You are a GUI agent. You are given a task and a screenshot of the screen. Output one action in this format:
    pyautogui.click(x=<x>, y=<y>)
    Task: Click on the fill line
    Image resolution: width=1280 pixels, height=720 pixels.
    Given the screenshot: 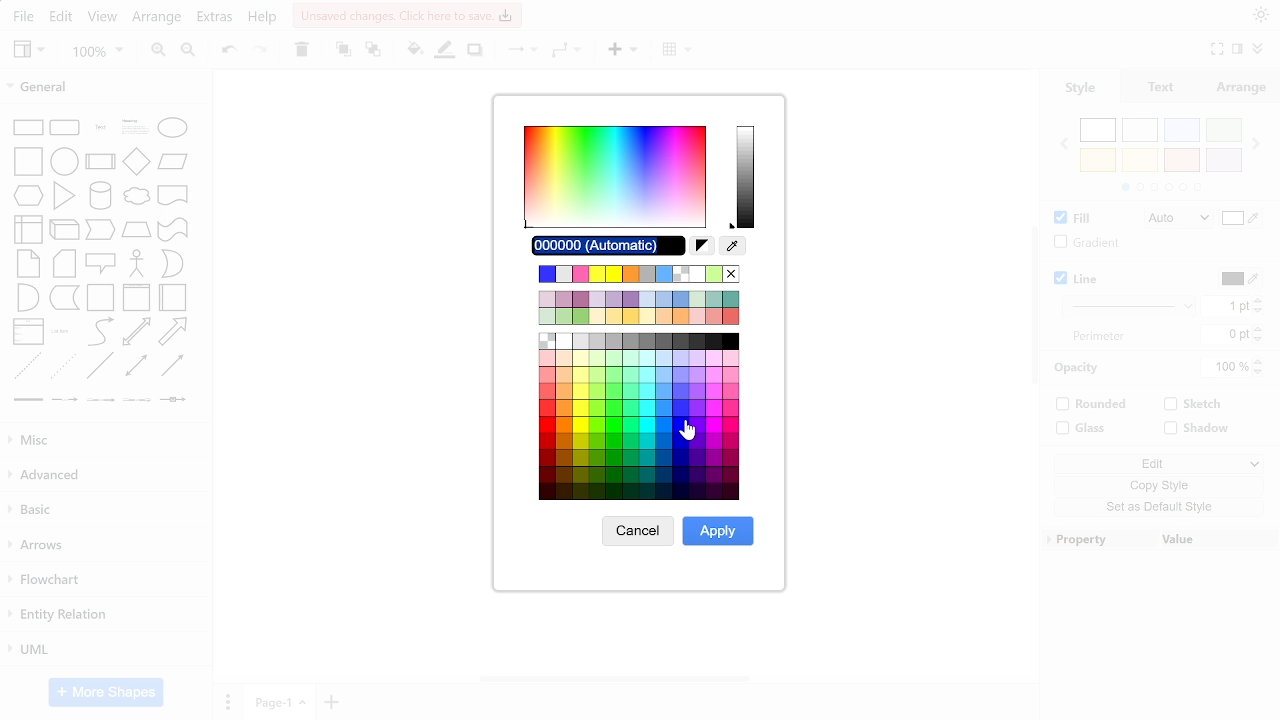 What is the action you would take?
    pyautogui.click(x=446, y=52)
    